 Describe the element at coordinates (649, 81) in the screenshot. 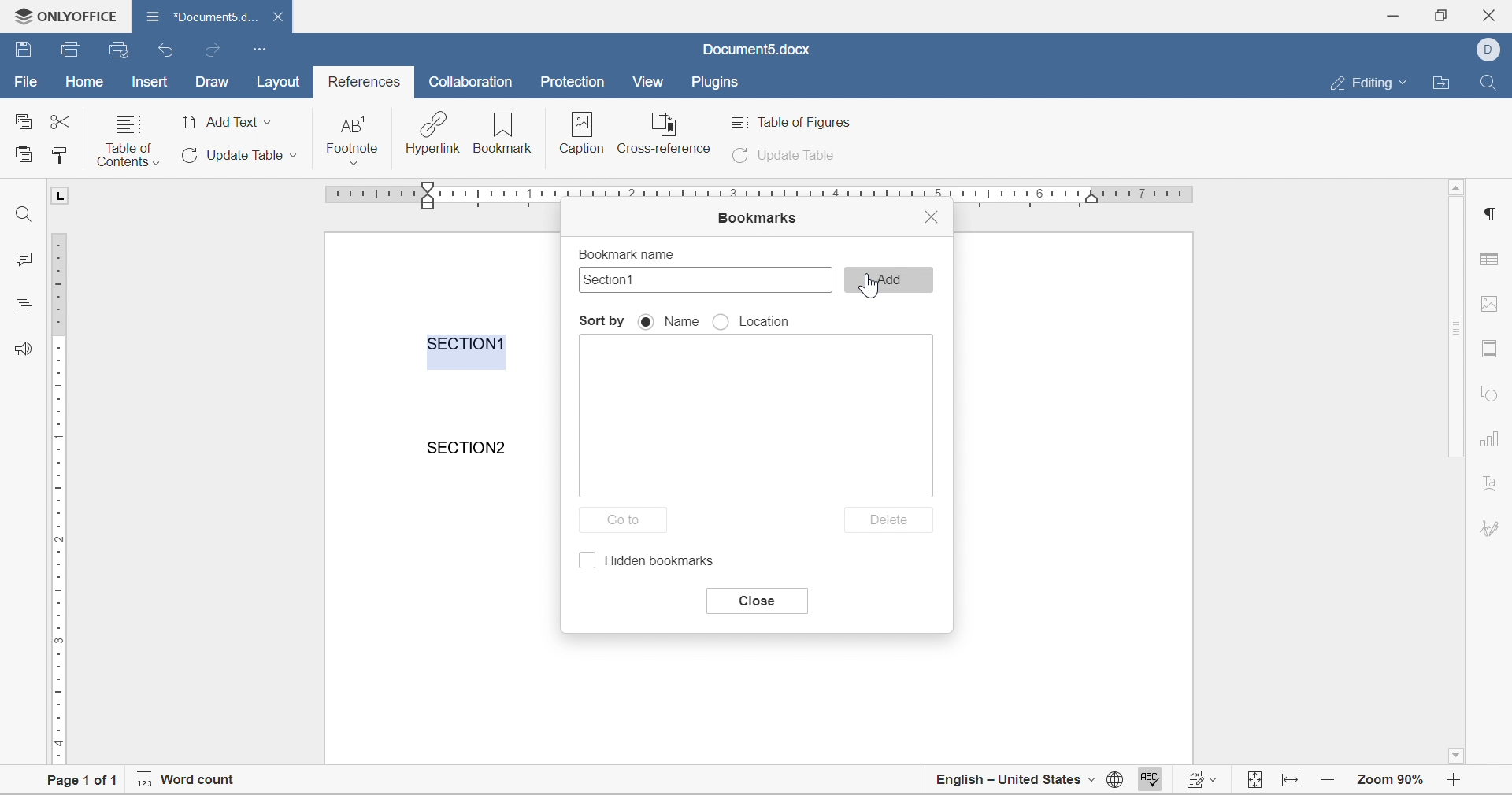

I see `view` at that location.